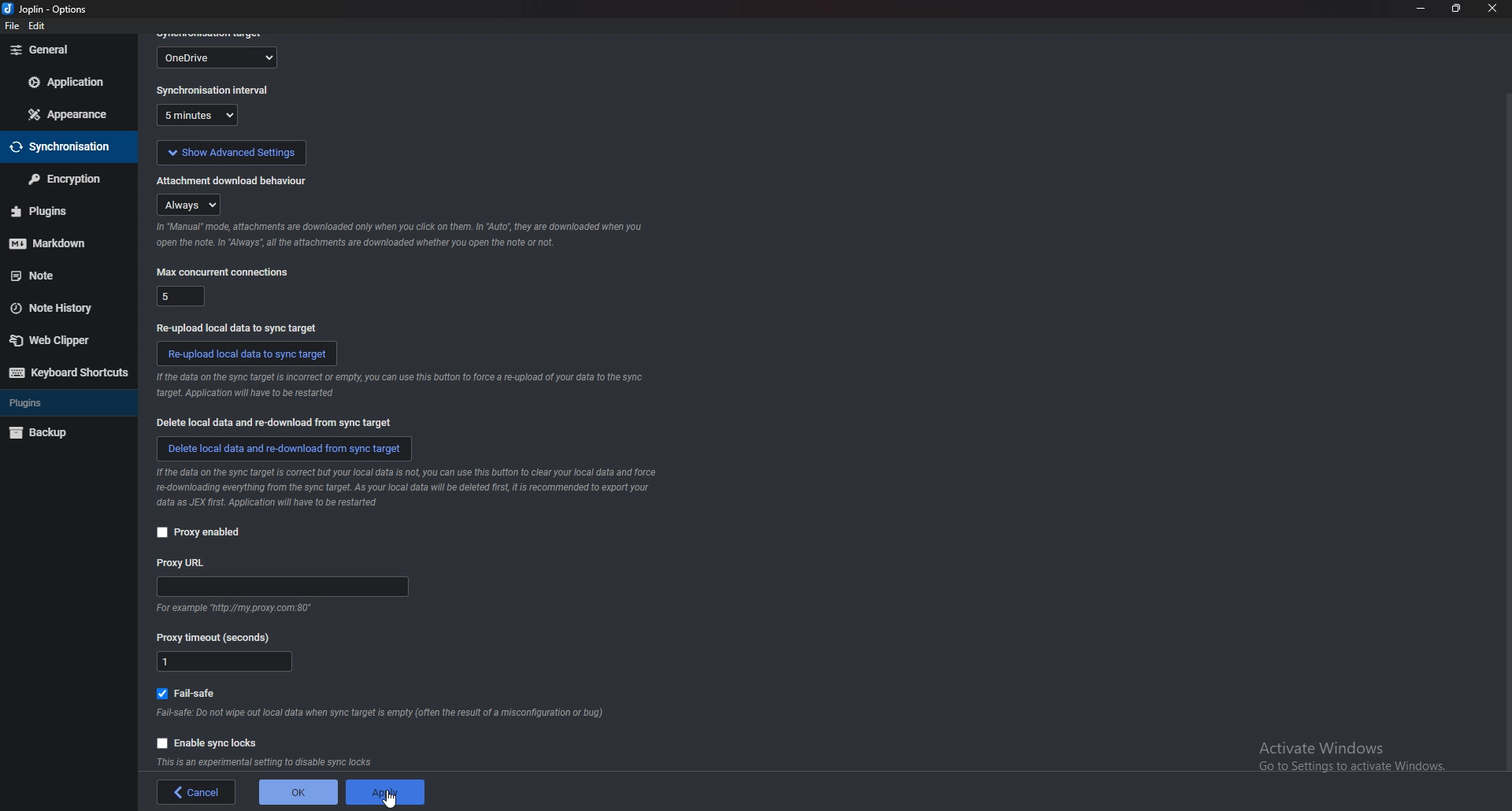  Describe the element at coordinates (199, 793) in the screenshot. I see `back` at that location.